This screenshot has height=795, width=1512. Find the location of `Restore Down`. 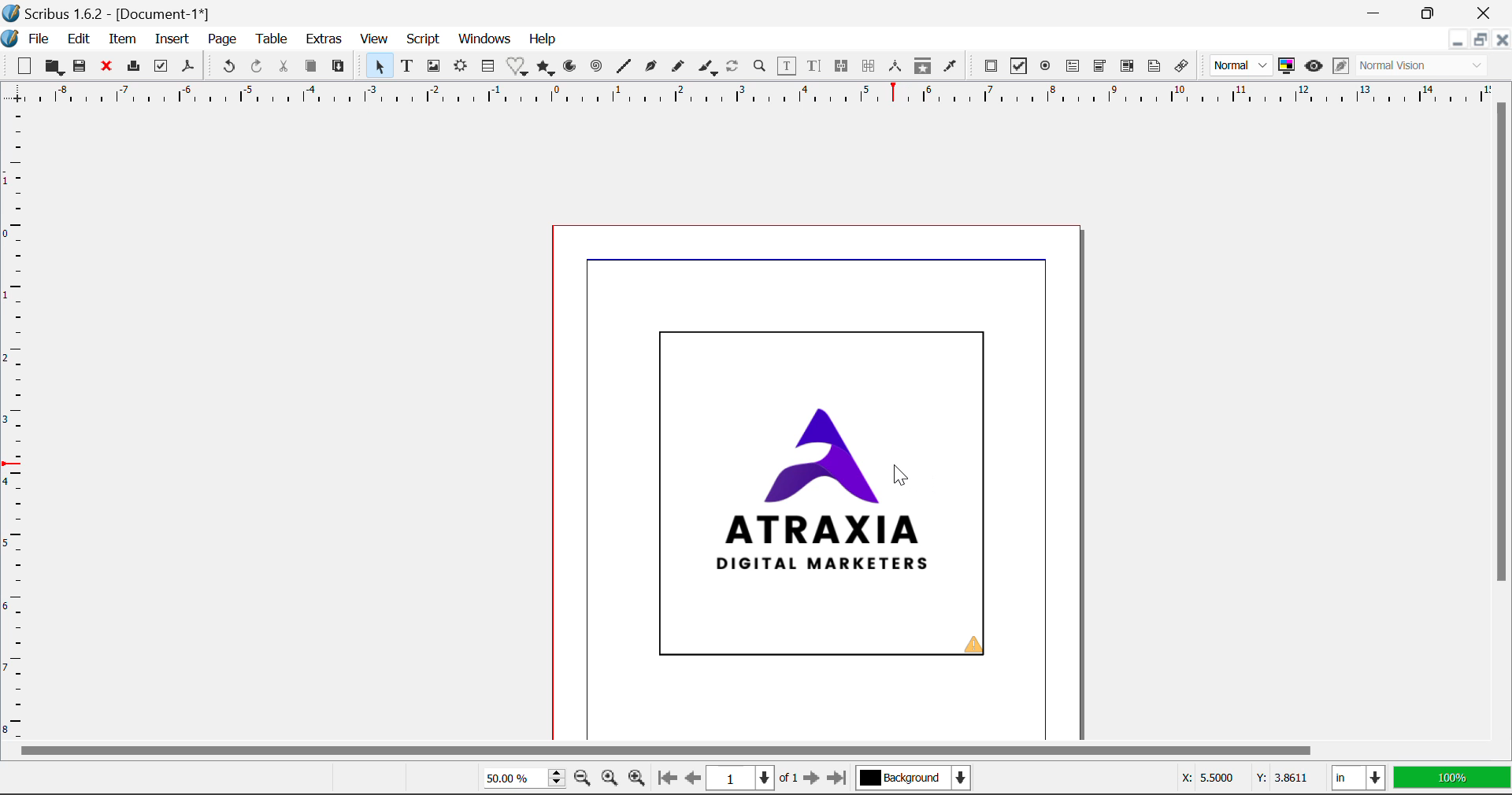

Restore Down is located at coordinates (1380, 11).